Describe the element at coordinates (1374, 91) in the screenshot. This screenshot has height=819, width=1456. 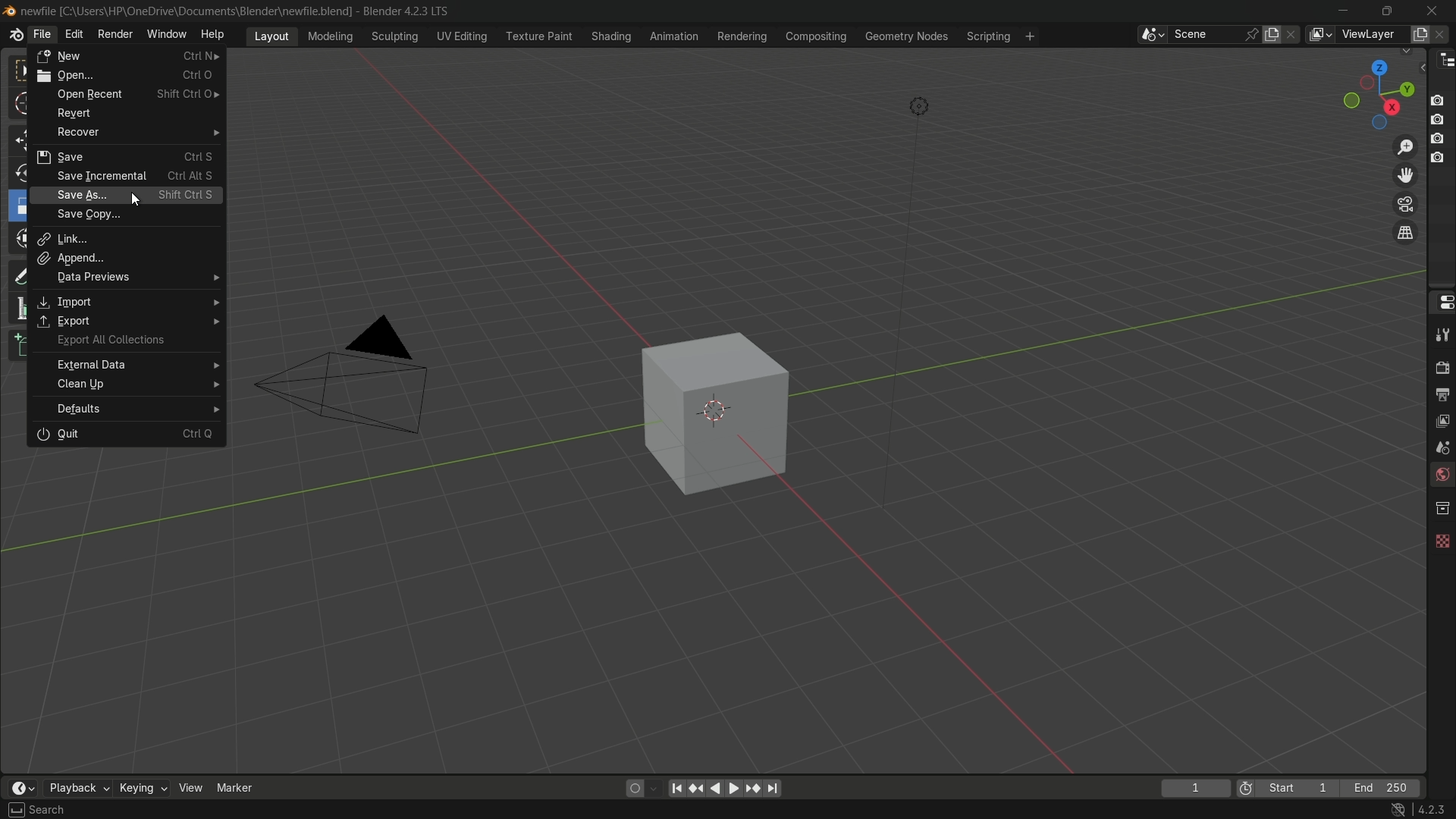
I see `preset view` at that location.